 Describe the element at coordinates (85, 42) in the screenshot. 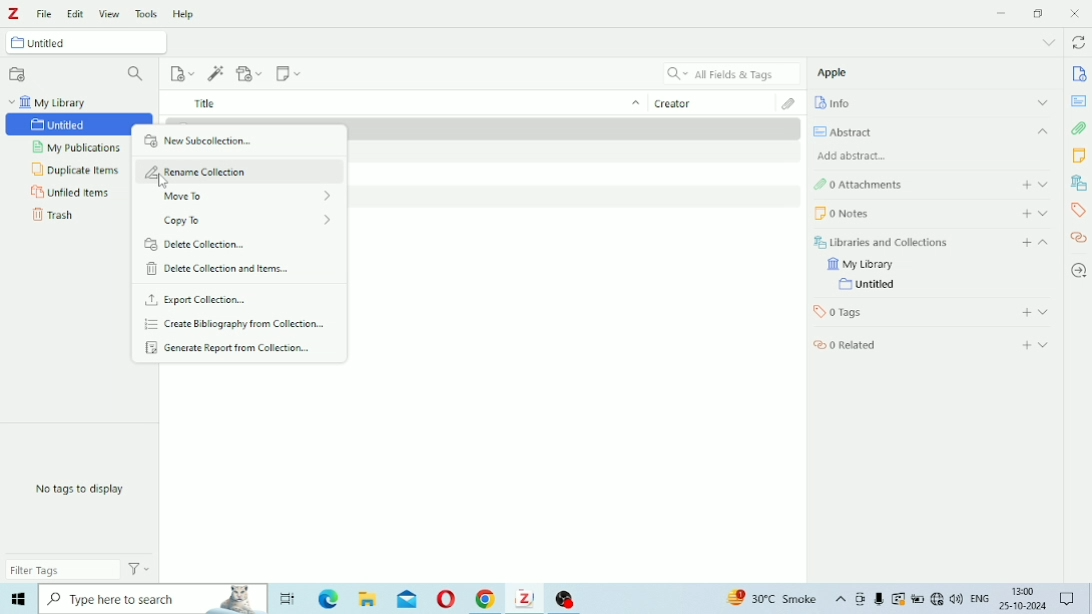

I see `Untitled` at that location.